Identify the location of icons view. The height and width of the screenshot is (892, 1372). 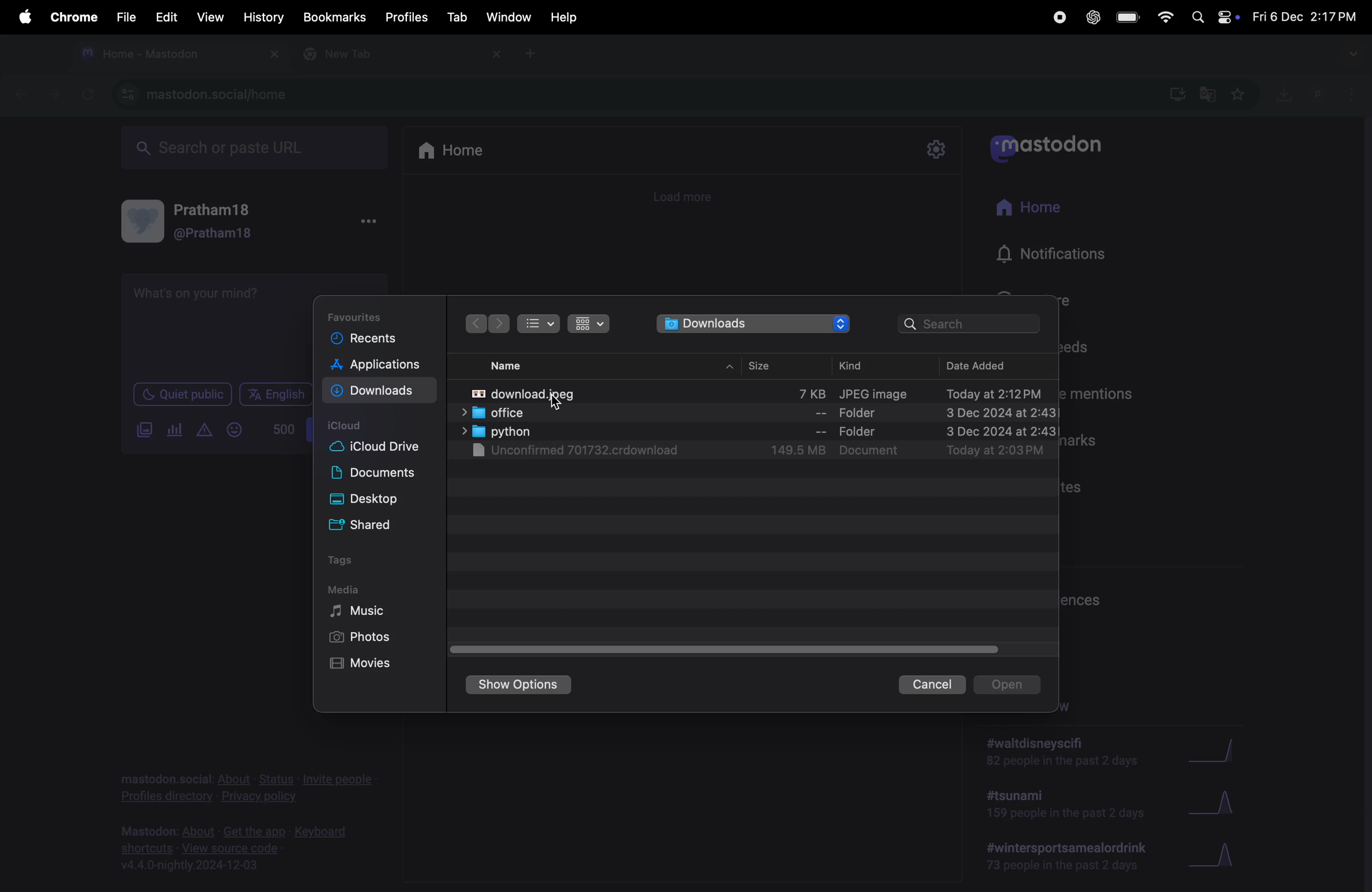
(589, 324).